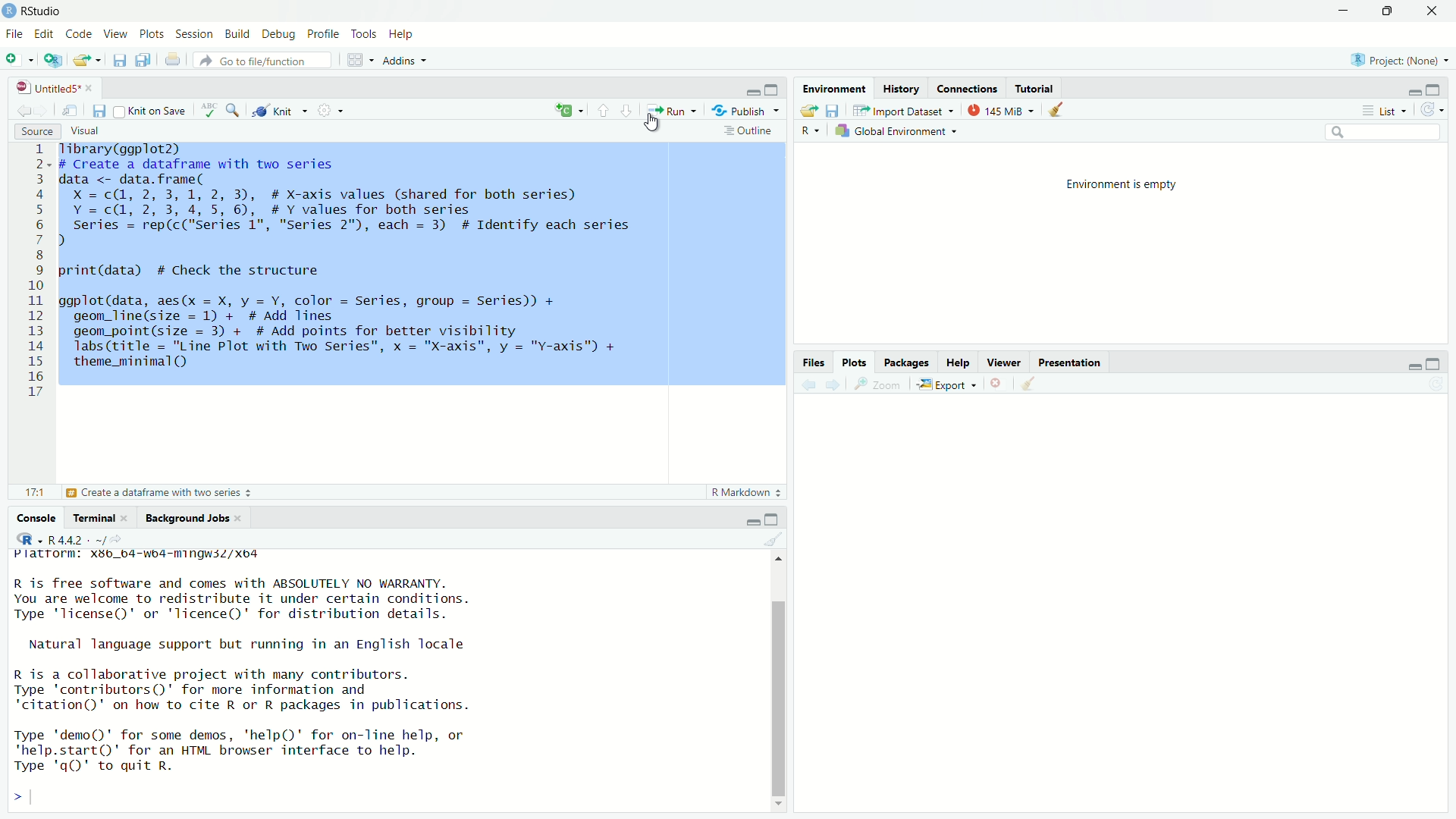 This screenshot has height=819, width=1456. Describe the element at coordinates (322, 36) in the screenshot. I see `Profile` at that location.